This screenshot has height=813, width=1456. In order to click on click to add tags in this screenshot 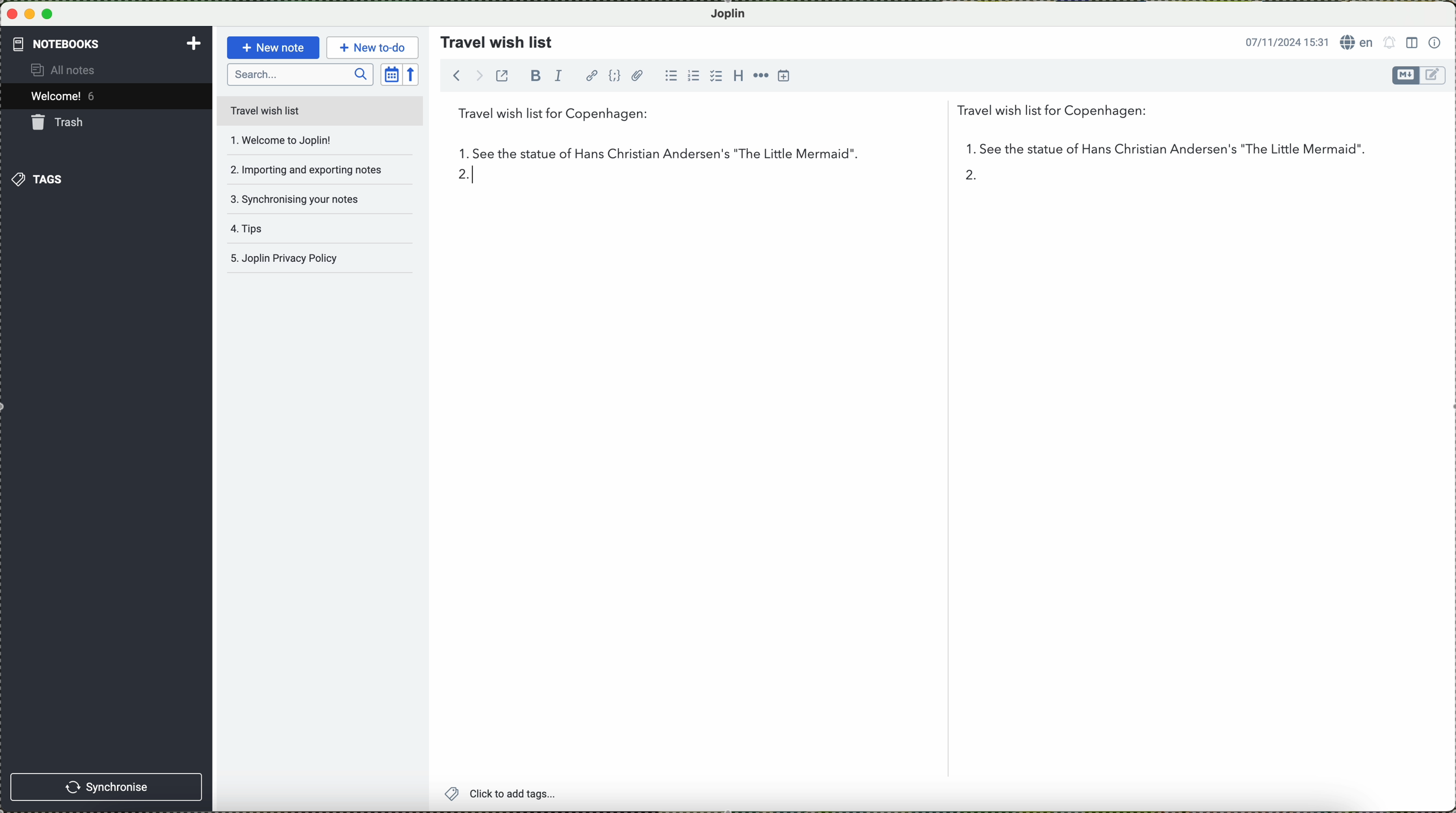, I will do `click(530, 794)`.